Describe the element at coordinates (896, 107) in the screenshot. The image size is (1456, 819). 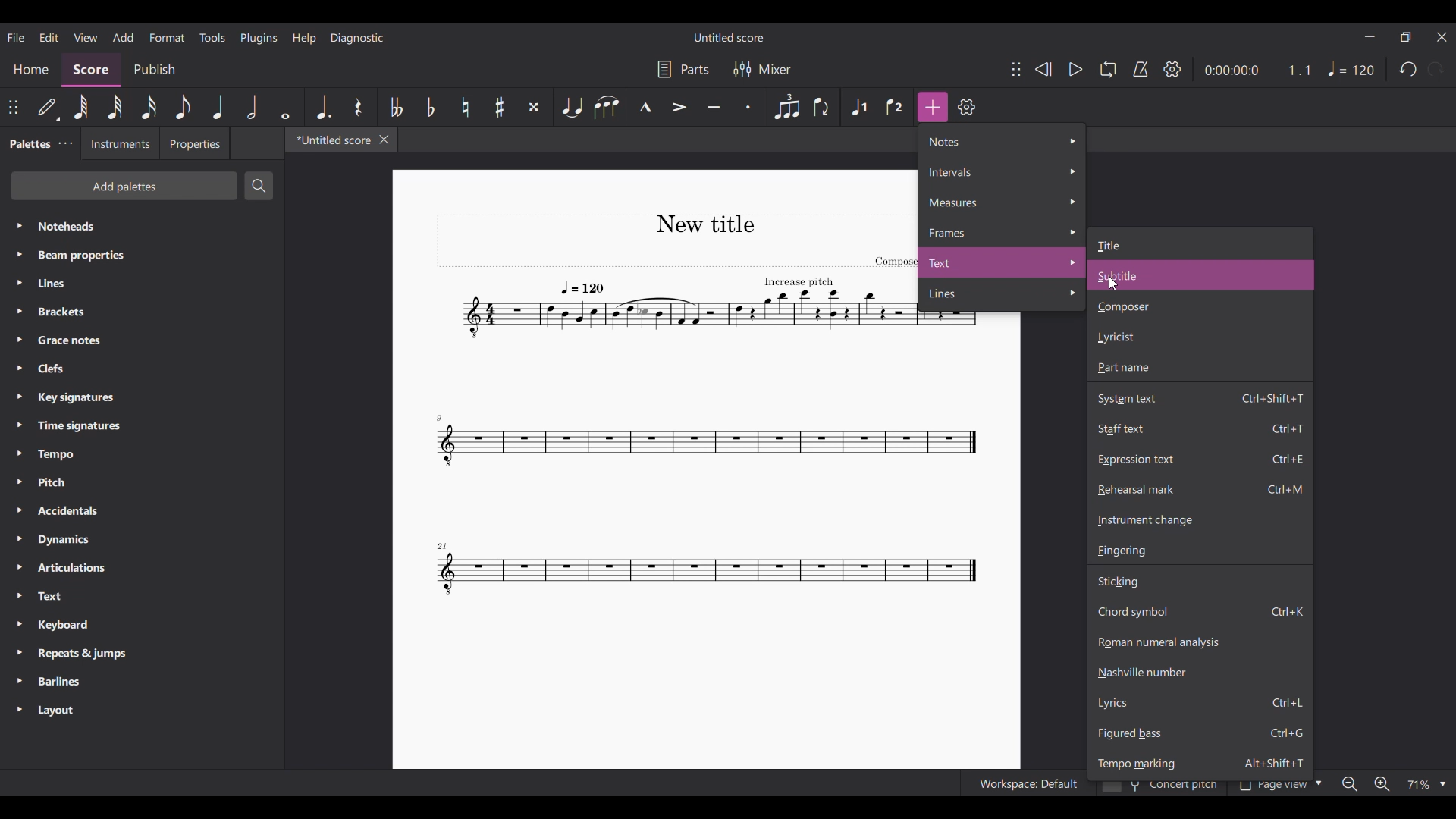
I see `Voice 2` at that location.